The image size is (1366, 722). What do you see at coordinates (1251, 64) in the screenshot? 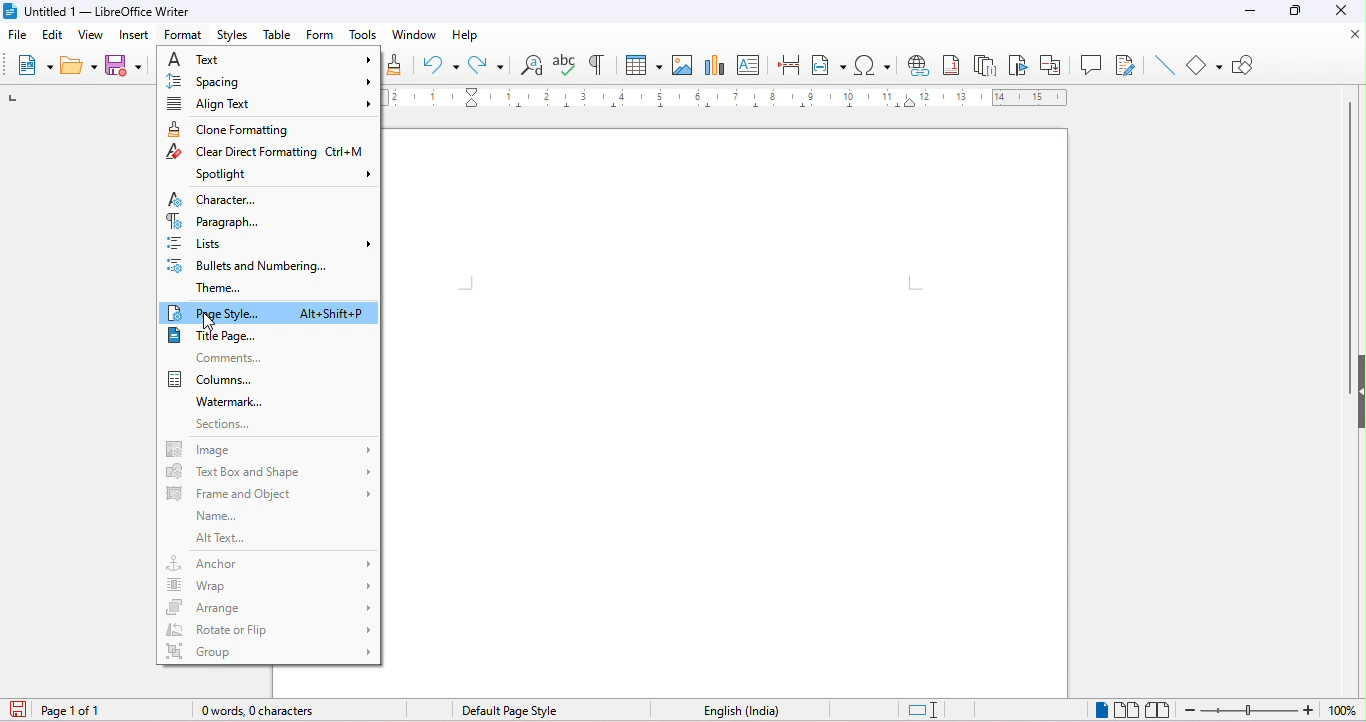
I see `show draw functions` at bounding box center [1251, 64].